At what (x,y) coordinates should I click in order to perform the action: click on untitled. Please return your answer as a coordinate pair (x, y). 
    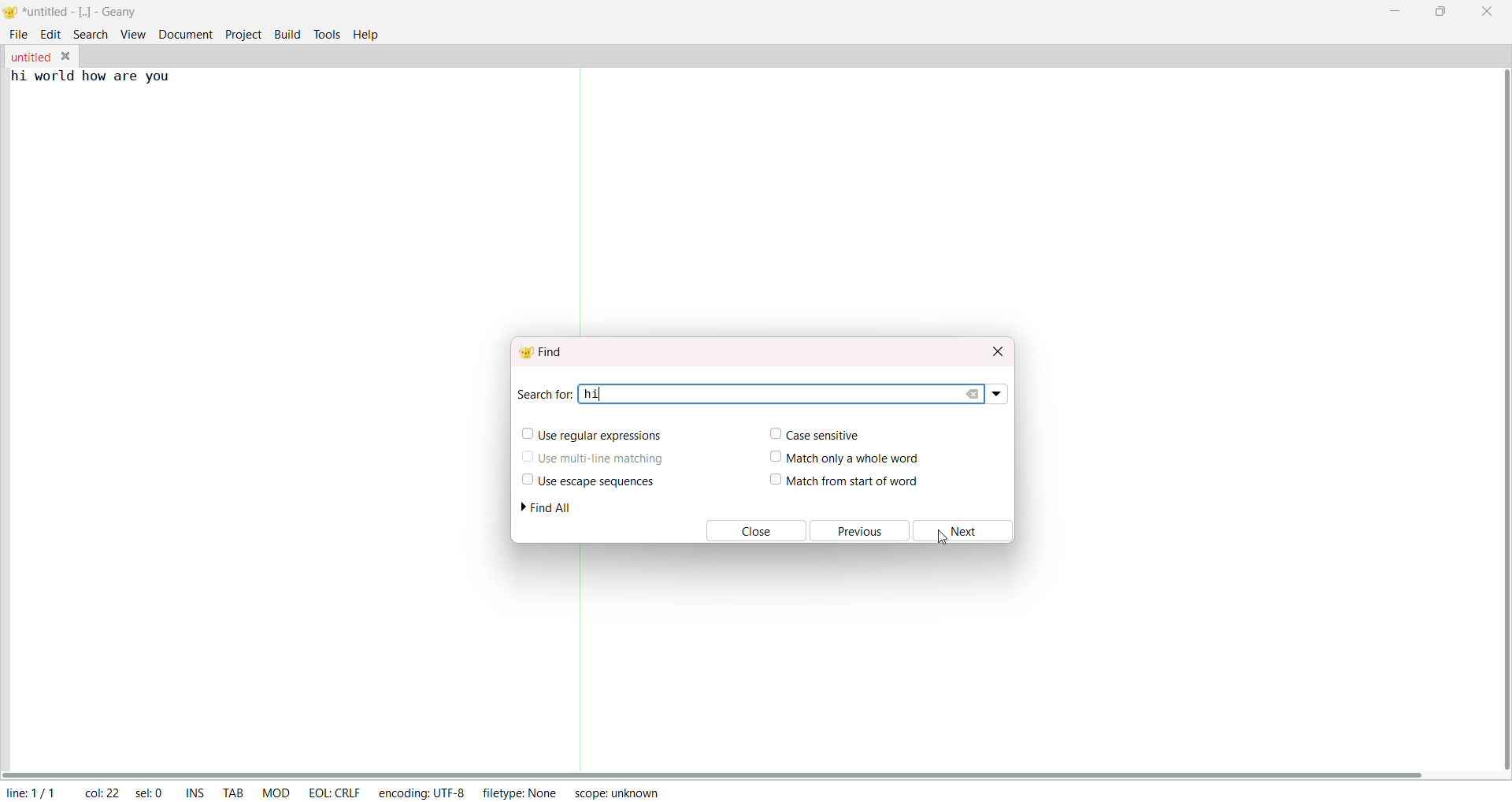
    Looking at the image, I should click on (29, 54).